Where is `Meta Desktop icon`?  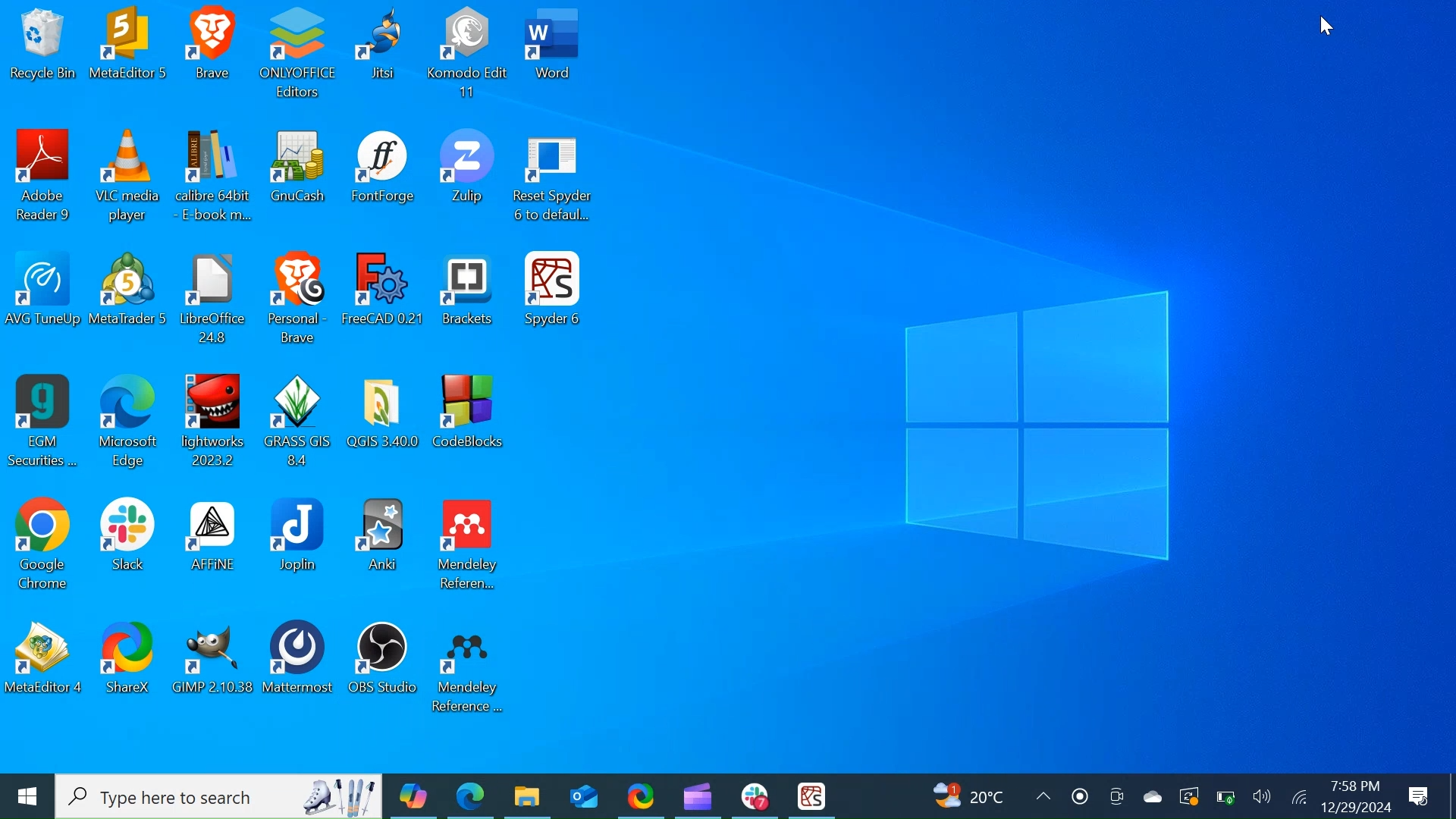 Meta Desktop icon is located at coordinates (130, 297).